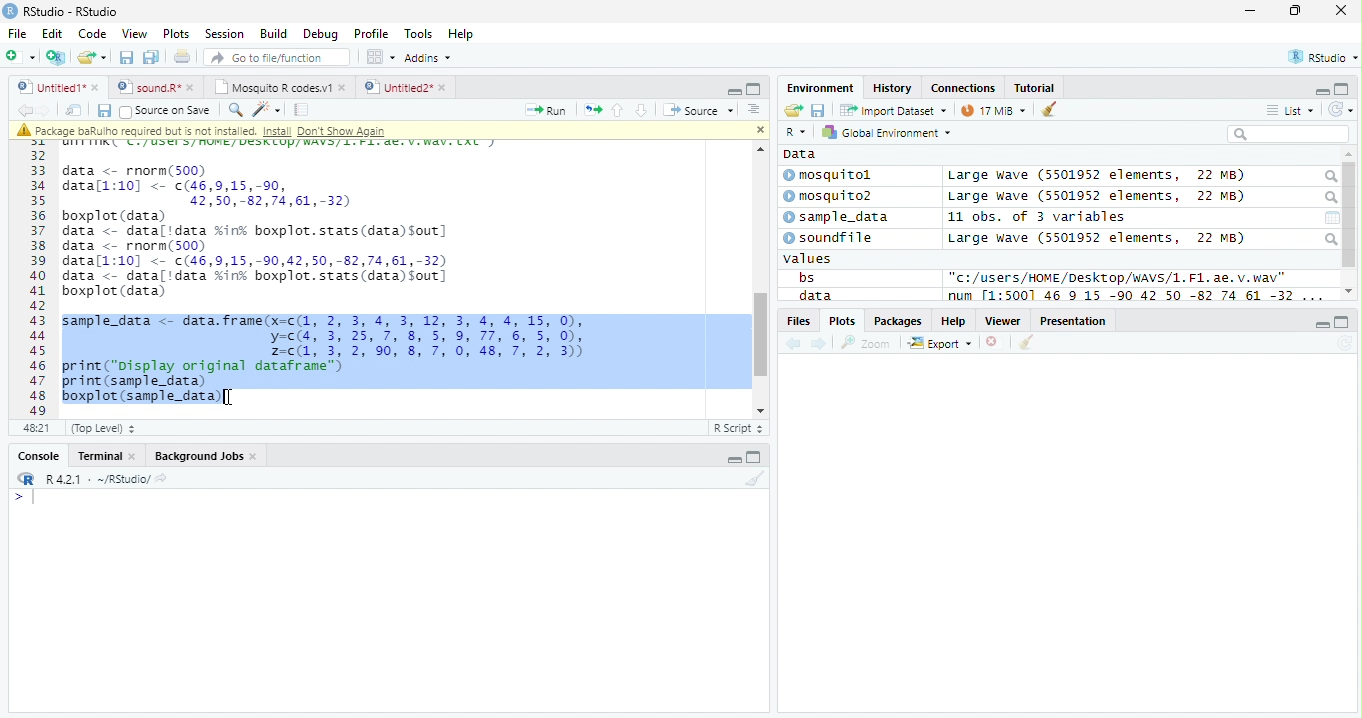  What do you see at coordinates (58, 57) in the screenshot?
I see `Create a project` at bounding box center [58, 57].